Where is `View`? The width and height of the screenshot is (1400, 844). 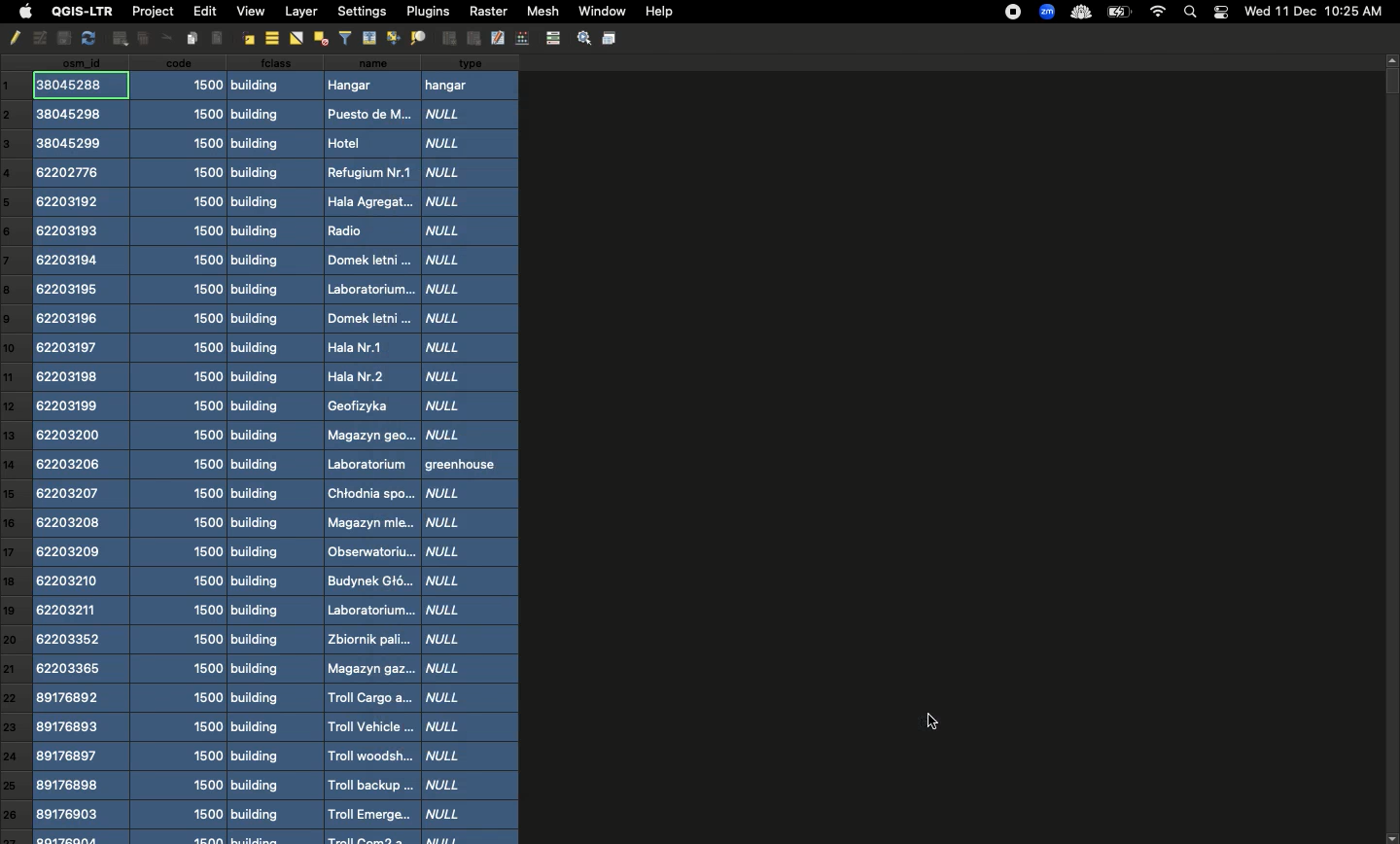 View is located at coordinates (250, 12).